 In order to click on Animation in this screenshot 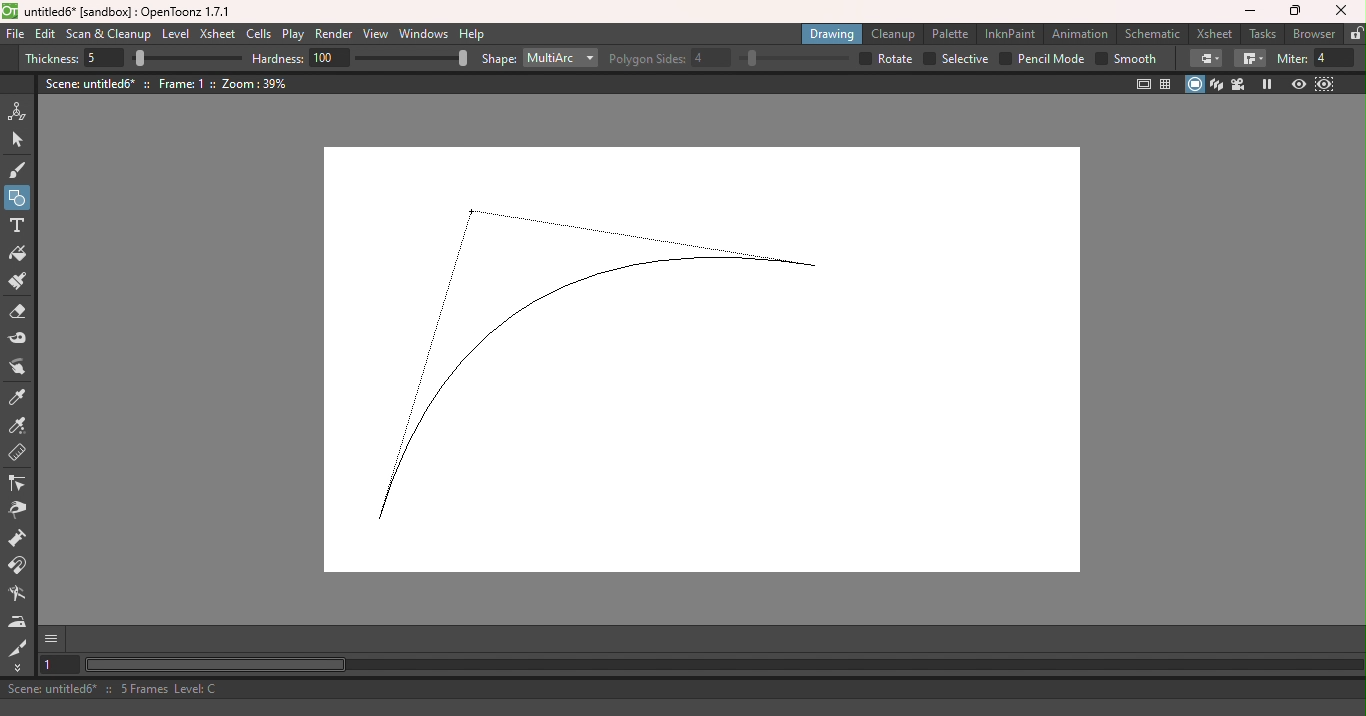, I will do `click(1080, 32)`.